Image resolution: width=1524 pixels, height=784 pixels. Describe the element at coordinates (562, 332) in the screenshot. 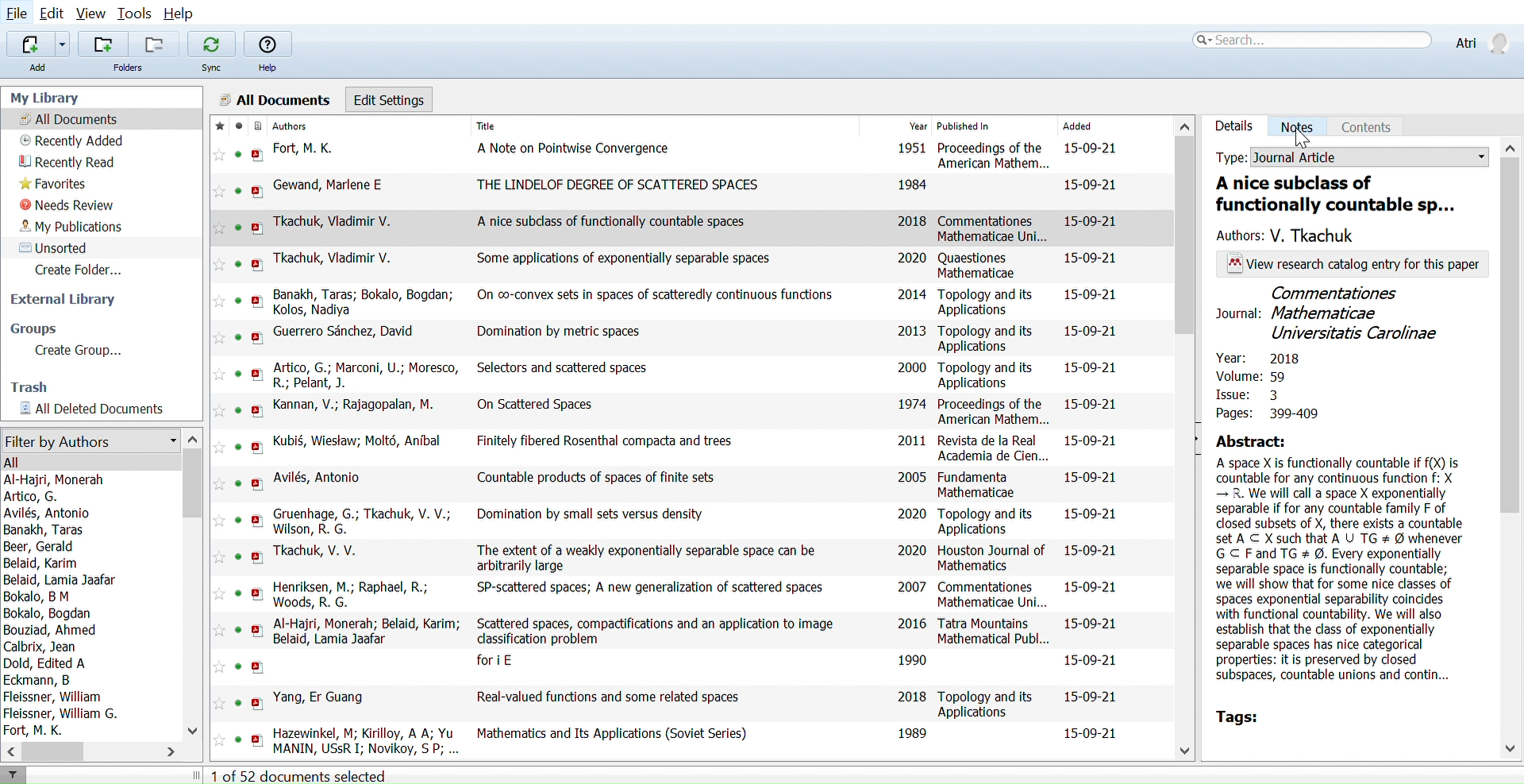

I see `Domination by metric spaces` at that location.